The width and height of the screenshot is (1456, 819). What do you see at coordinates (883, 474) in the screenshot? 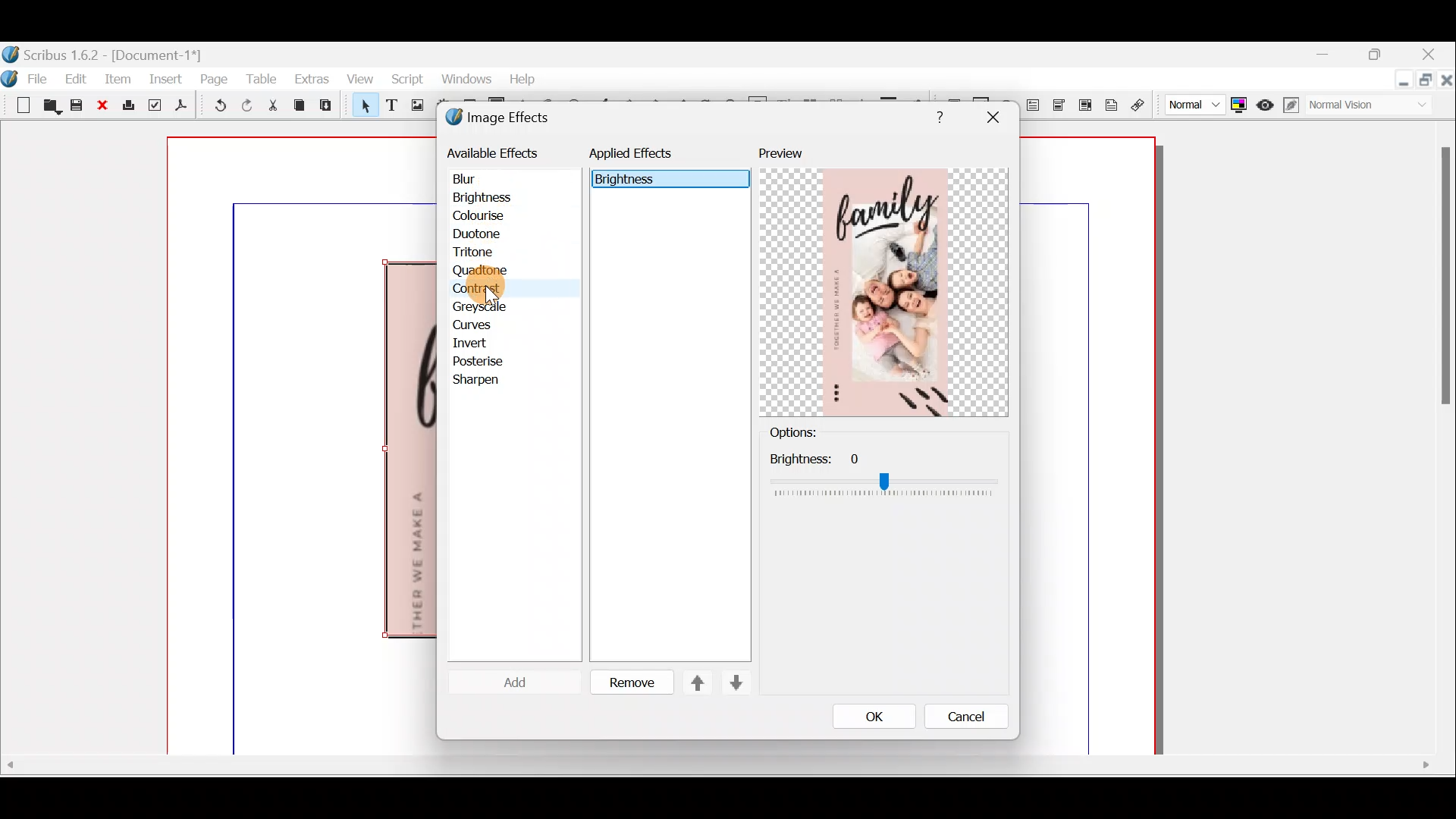
I see `` at bounding box center [883, 474].